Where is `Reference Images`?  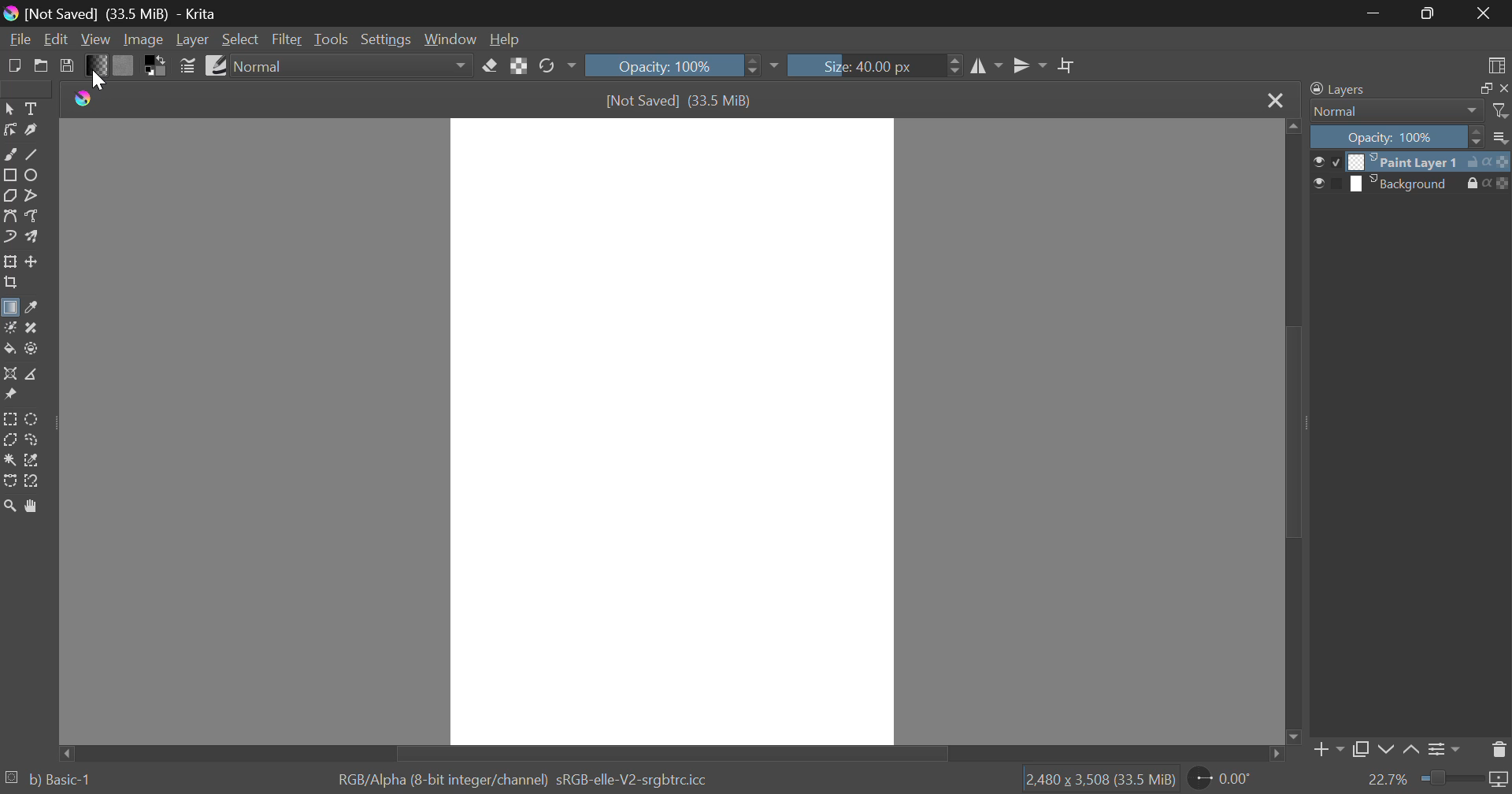 Reference Images is located at coordinates (9, 397).